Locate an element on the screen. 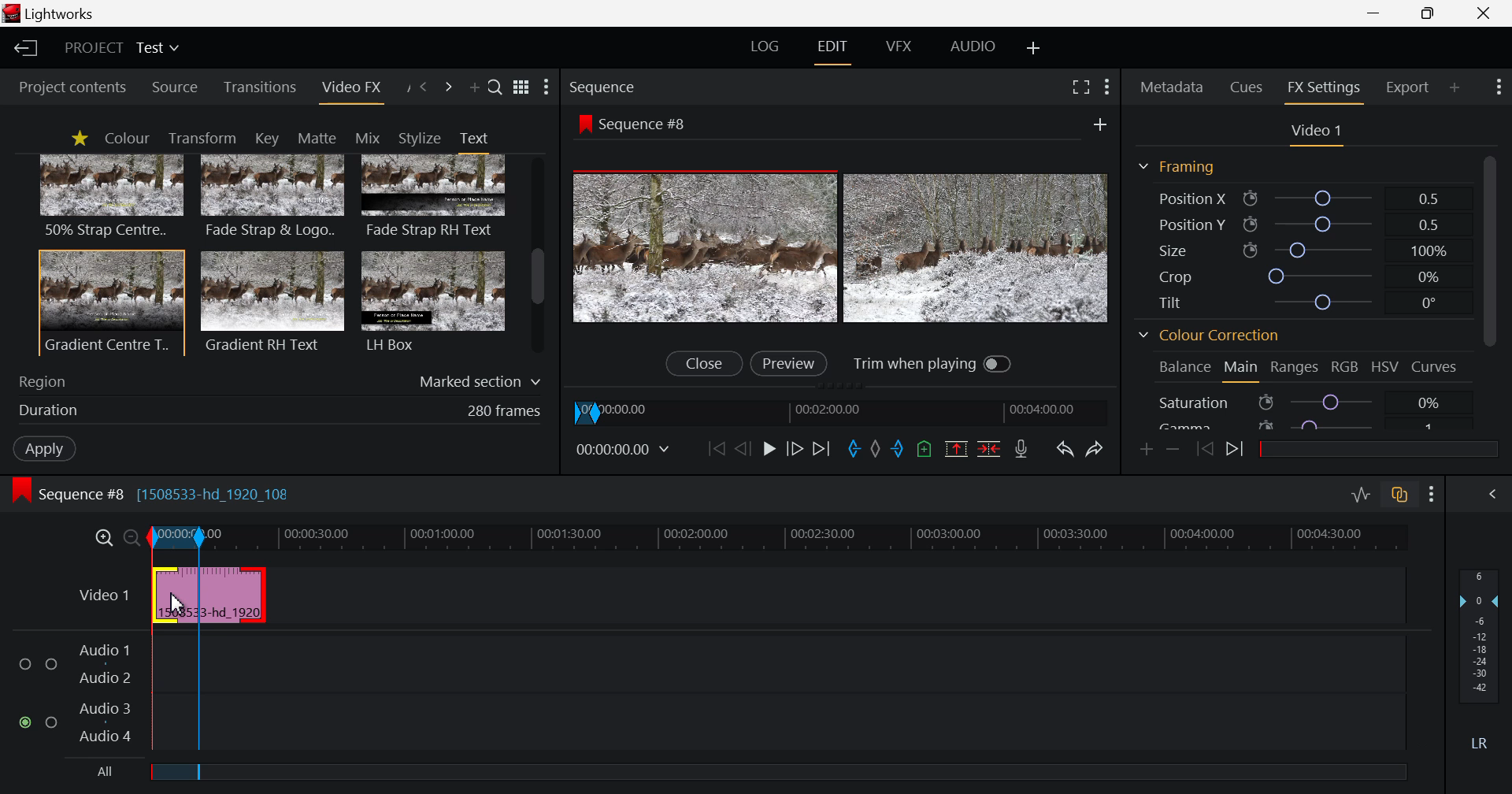 This screenshot has height=794, width=1512. Next Panel is located at coordinates (448, 87).